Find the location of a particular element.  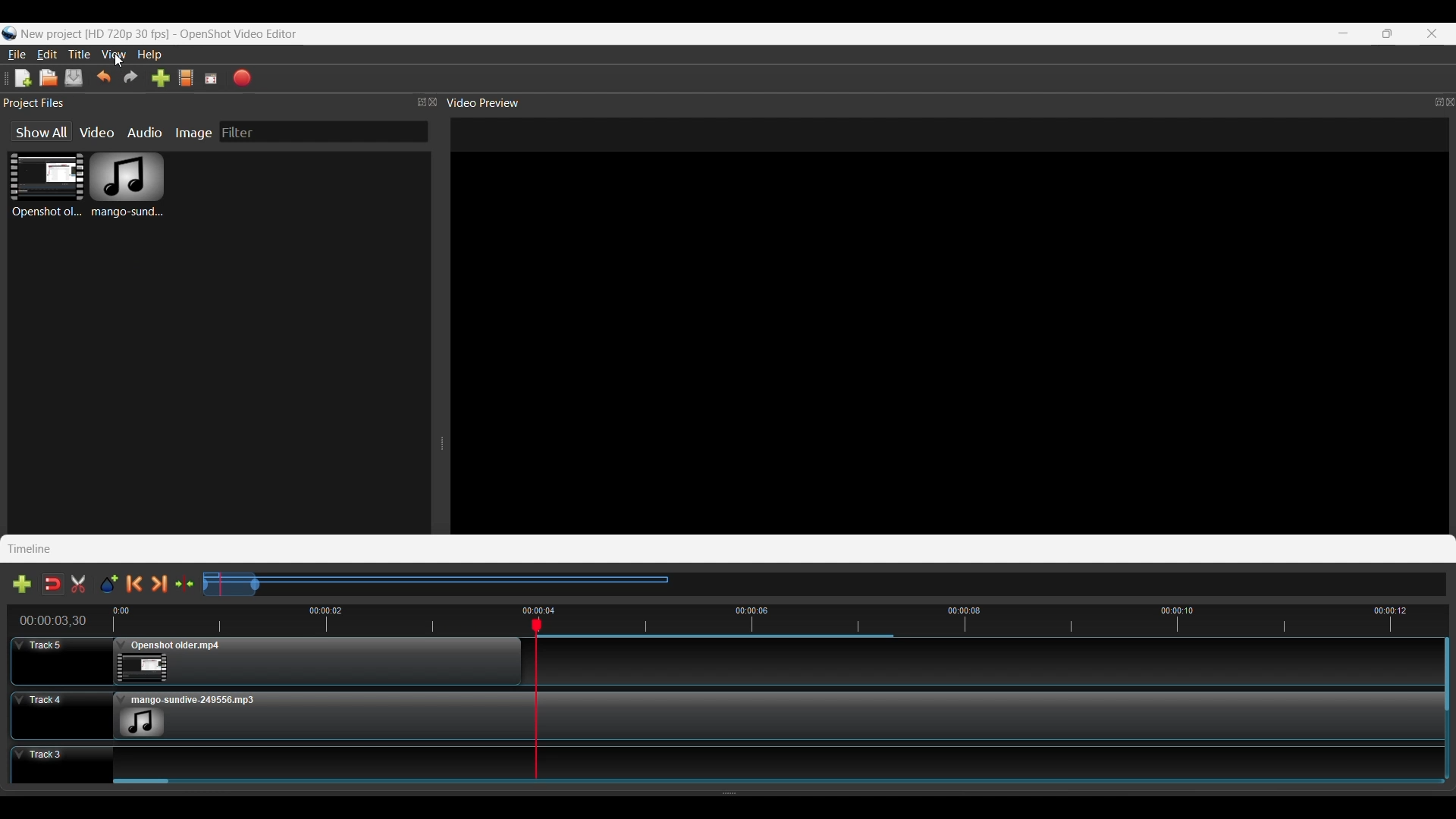

Slider is located at coordinates (824, 585).